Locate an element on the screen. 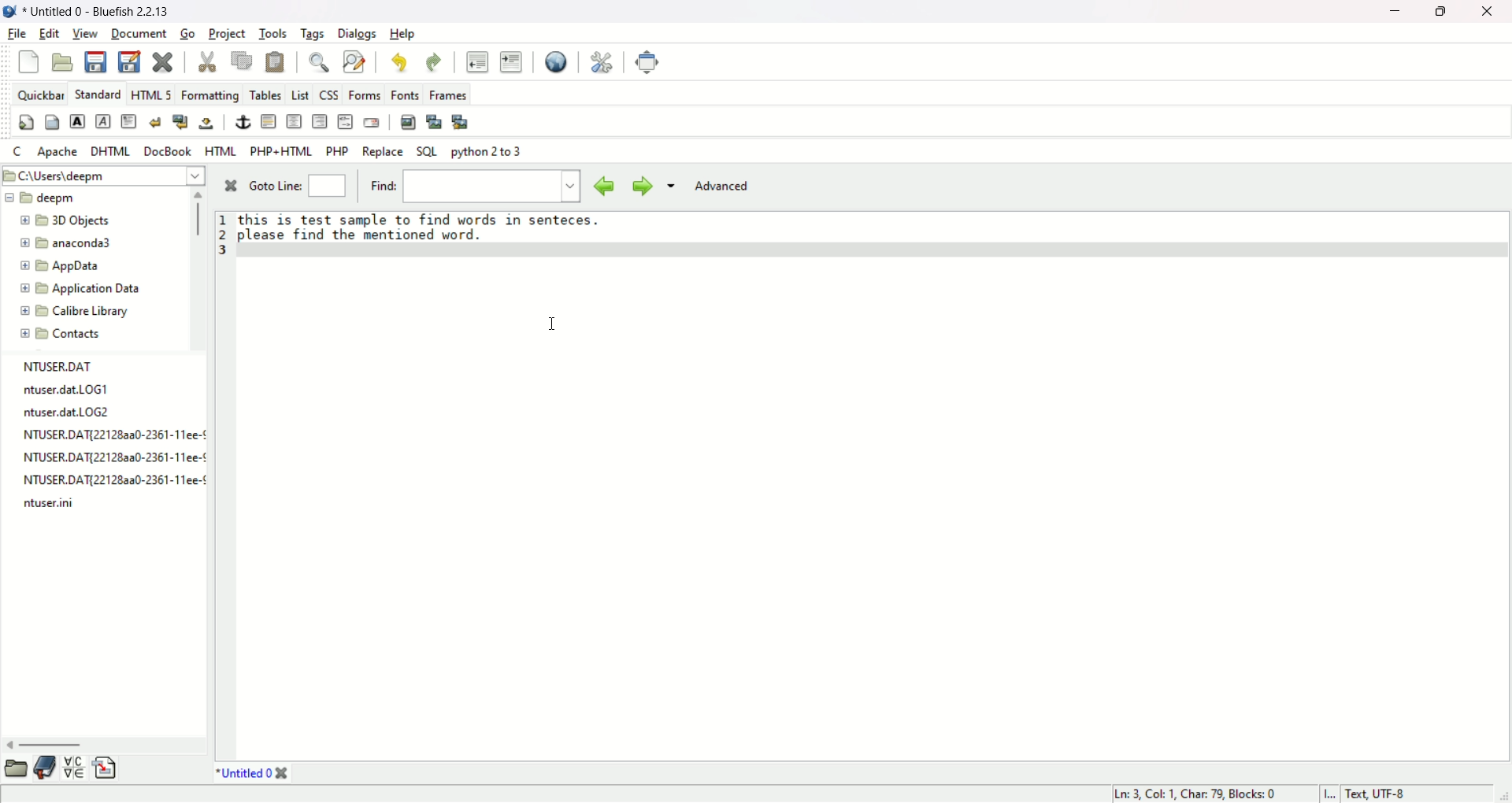 This screenshot has width=1512, height=803. vertical scrollbar is located at coordinates (198, 220).